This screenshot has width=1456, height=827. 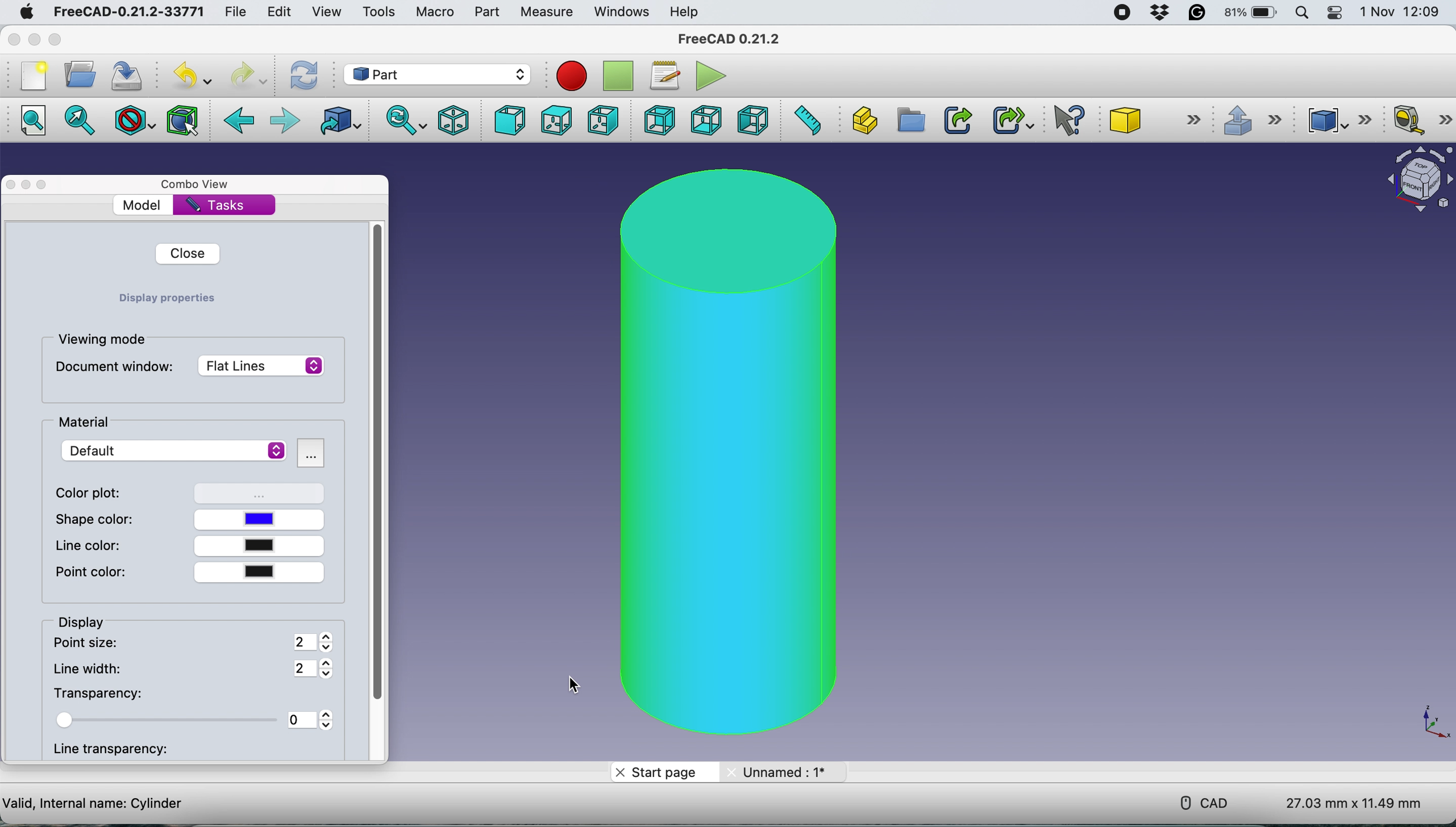 What do you see at coordinates (134, 122) in the screenshot?
I see `draw style` at bounding box center [134, 122].